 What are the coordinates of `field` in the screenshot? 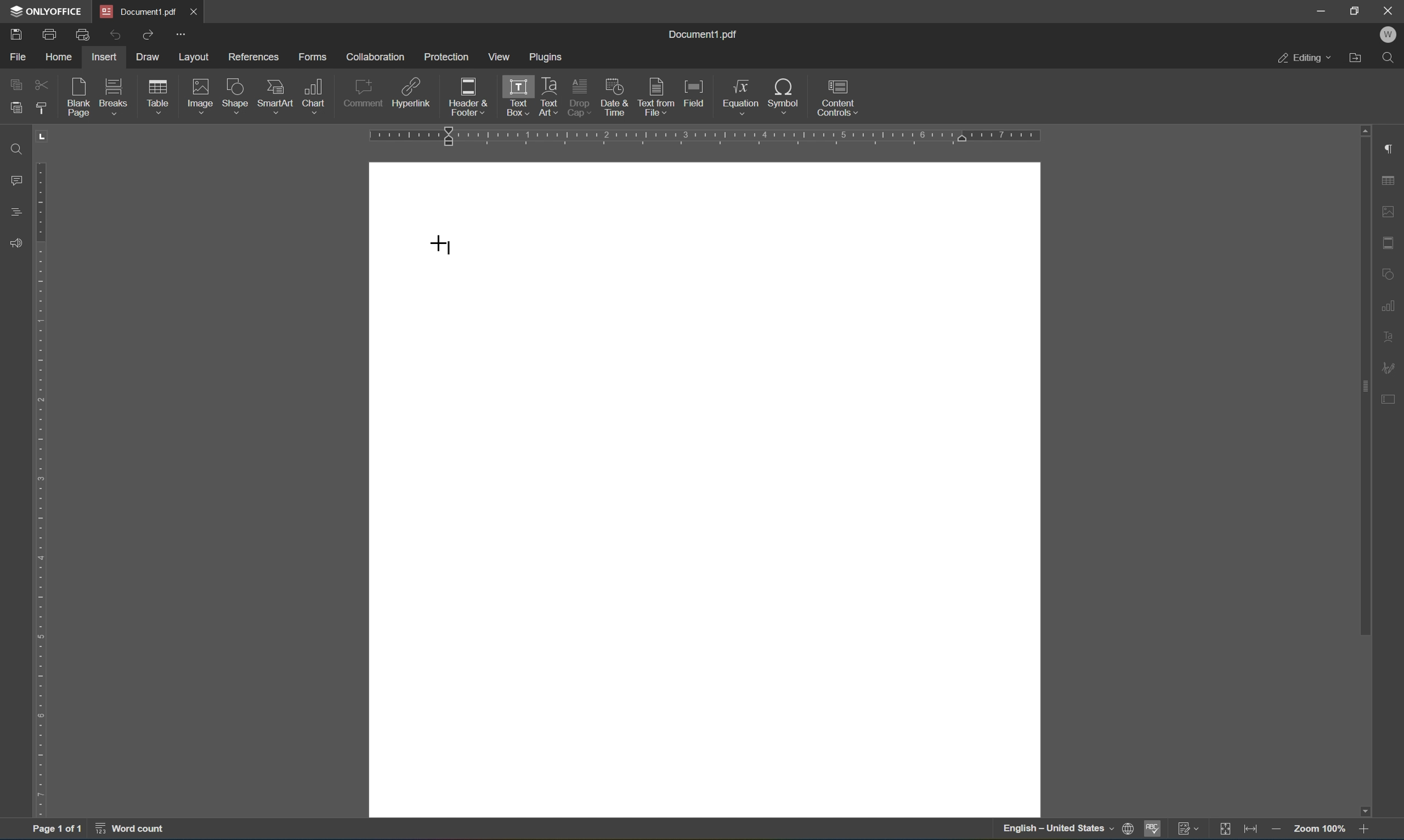 It's located at (695, 93).